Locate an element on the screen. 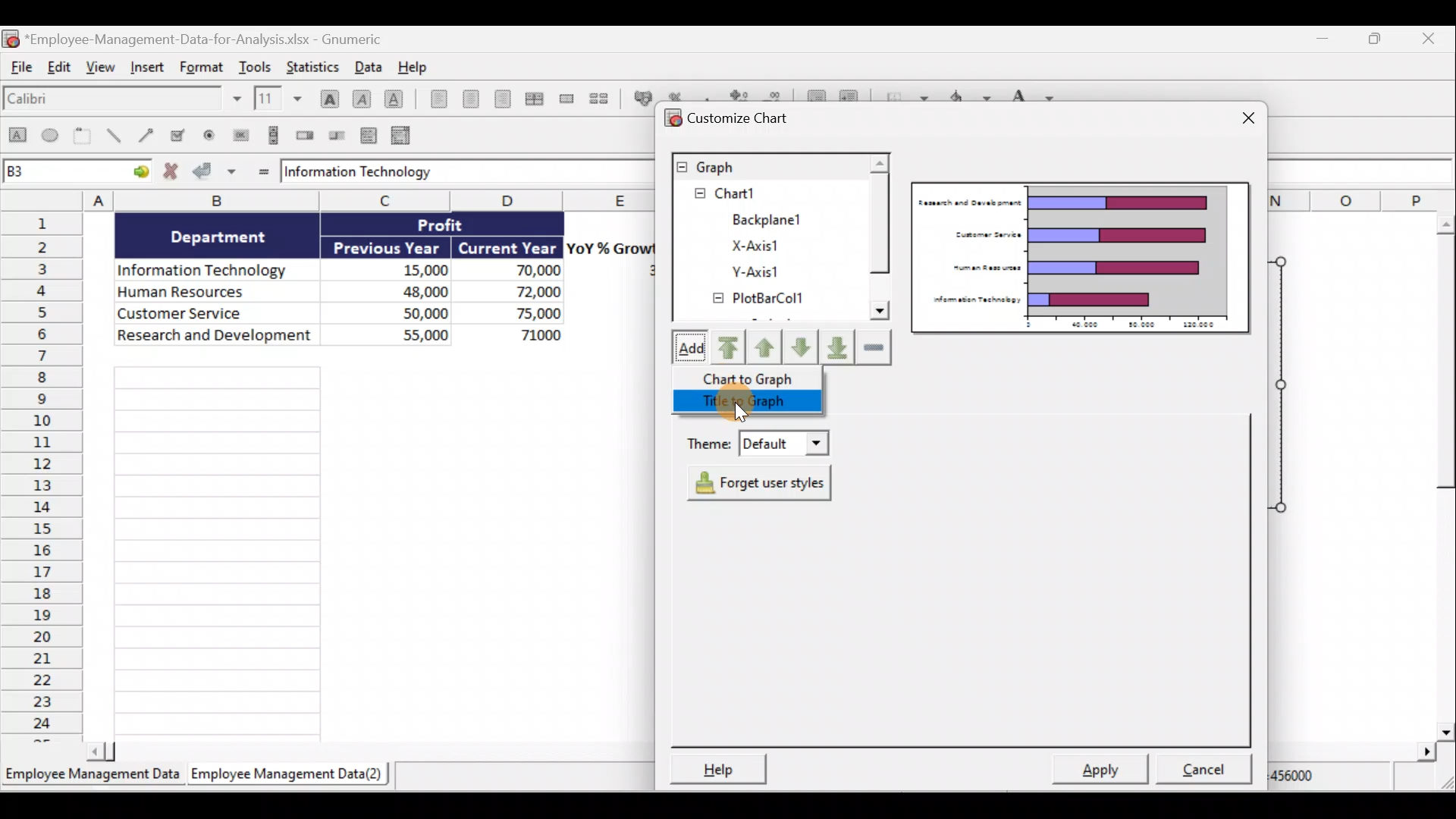 This screenshot has width=1456, height=819. Theme is located at coordinates (757, 439).